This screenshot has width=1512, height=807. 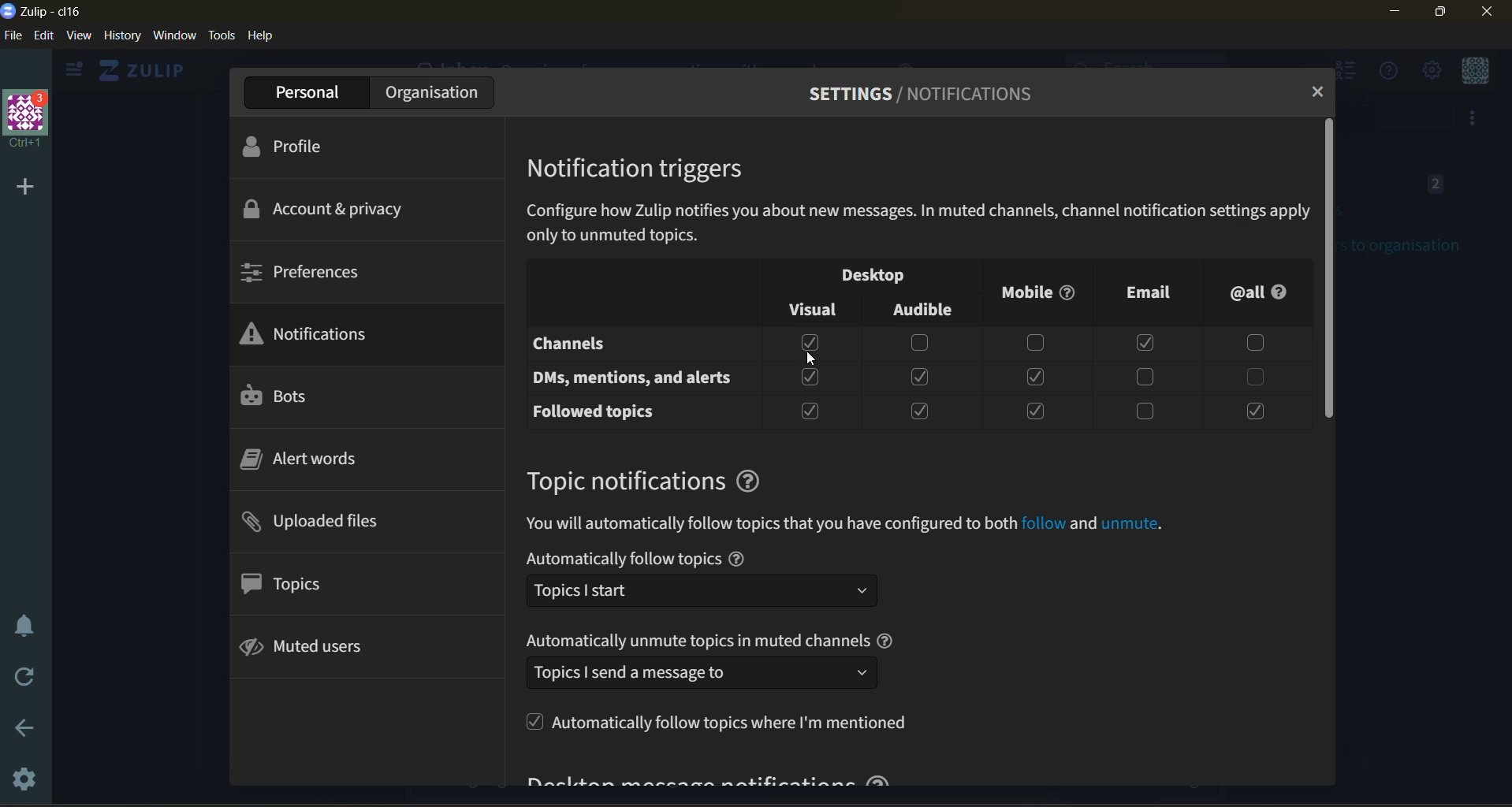 I want to click on muted users, so click(x=323, y=647).